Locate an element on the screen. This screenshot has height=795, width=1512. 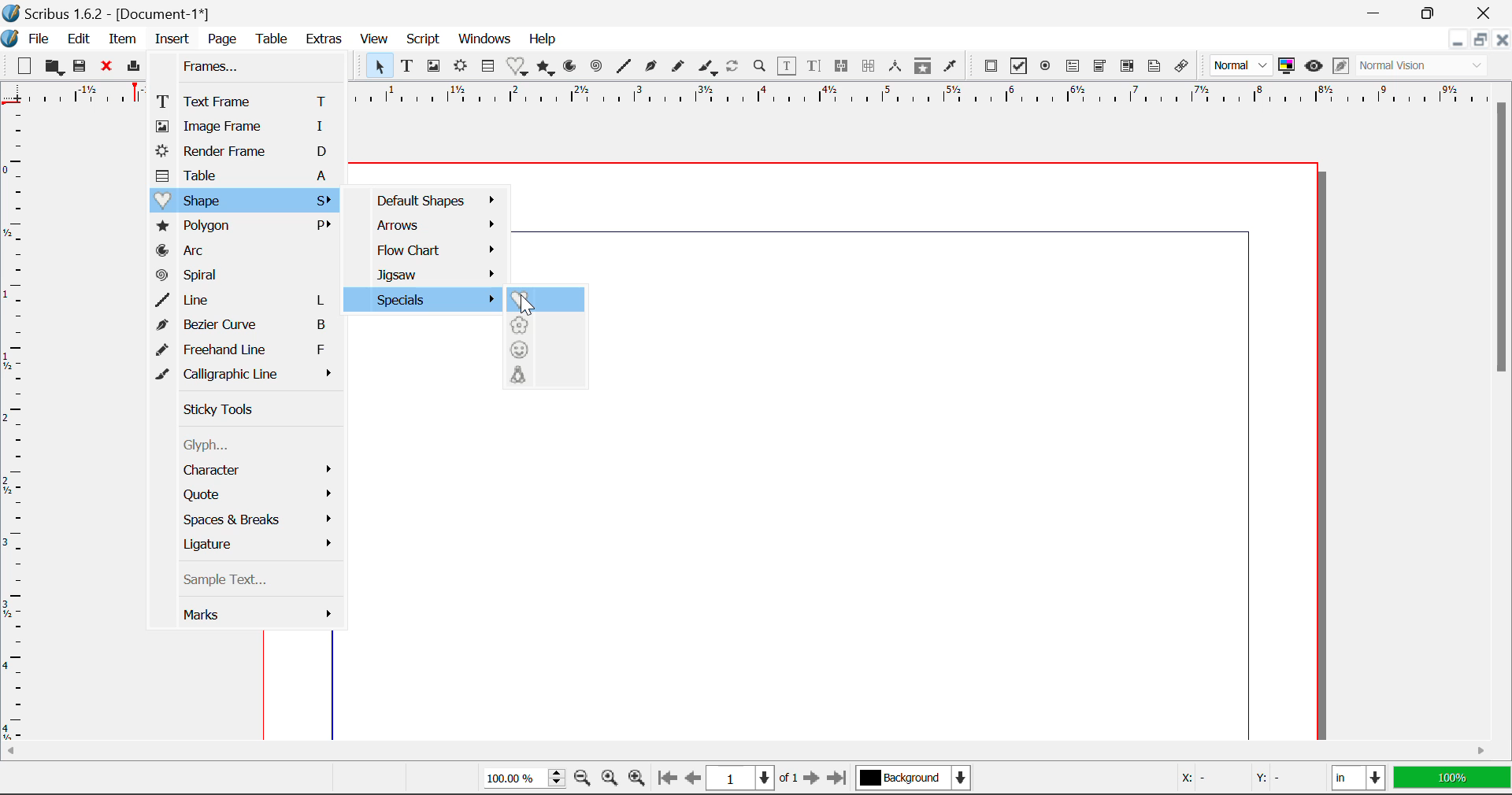
Help is located at coordinates (543, 39).